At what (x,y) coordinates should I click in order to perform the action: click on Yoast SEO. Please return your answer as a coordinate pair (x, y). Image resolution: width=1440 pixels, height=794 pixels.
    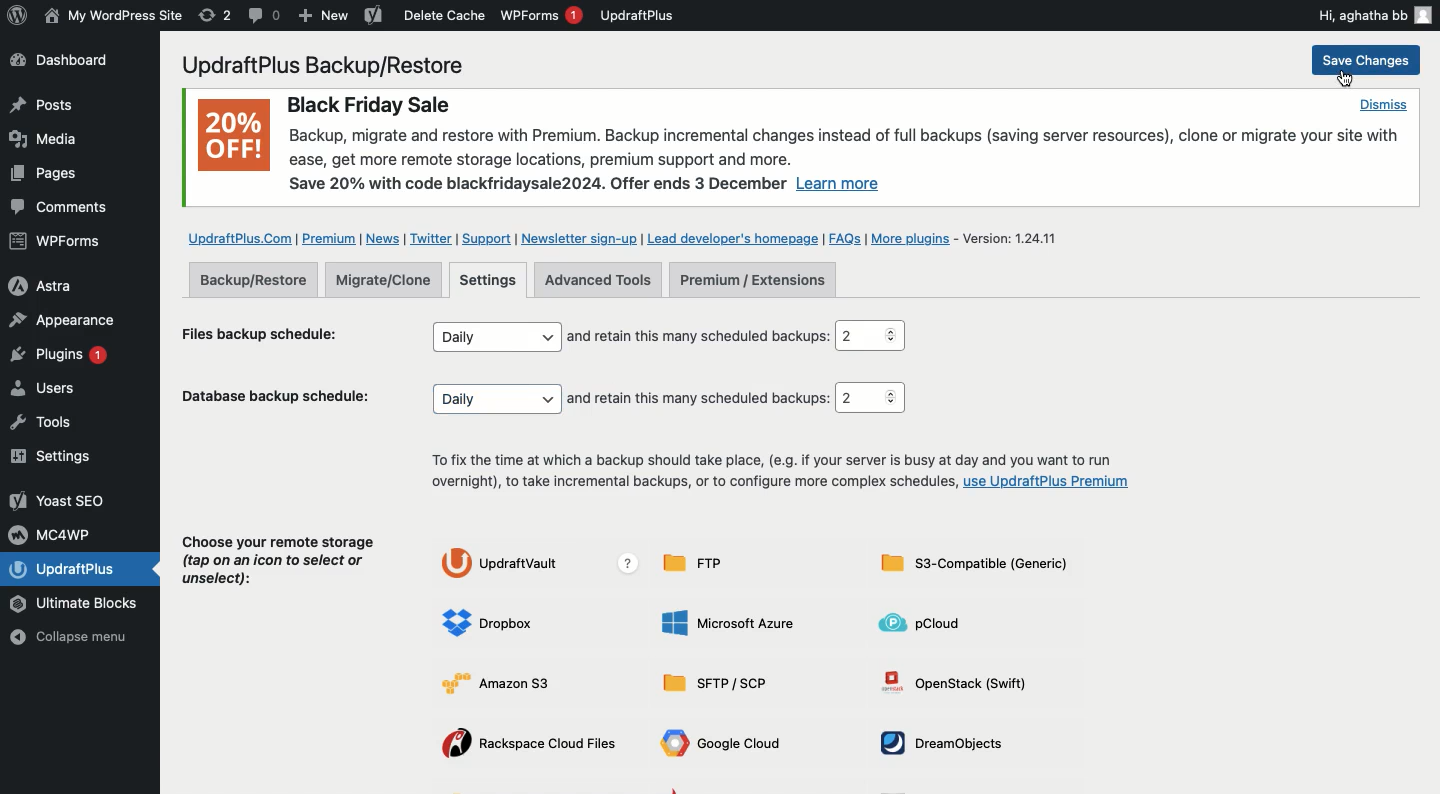
    Looking at the image, I should click on (60, 500).